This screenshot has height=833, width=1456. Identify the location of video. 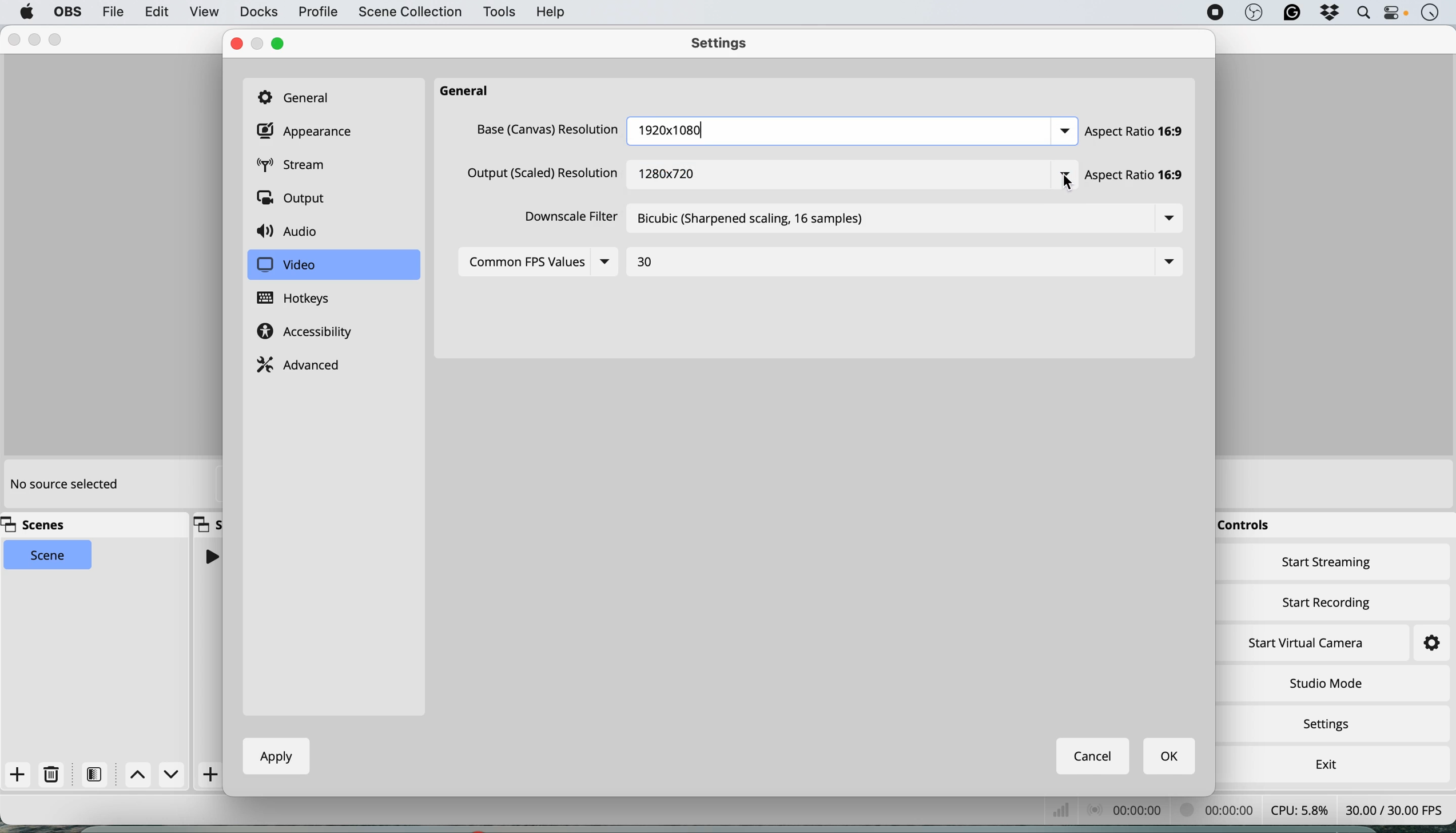
(286, 265).